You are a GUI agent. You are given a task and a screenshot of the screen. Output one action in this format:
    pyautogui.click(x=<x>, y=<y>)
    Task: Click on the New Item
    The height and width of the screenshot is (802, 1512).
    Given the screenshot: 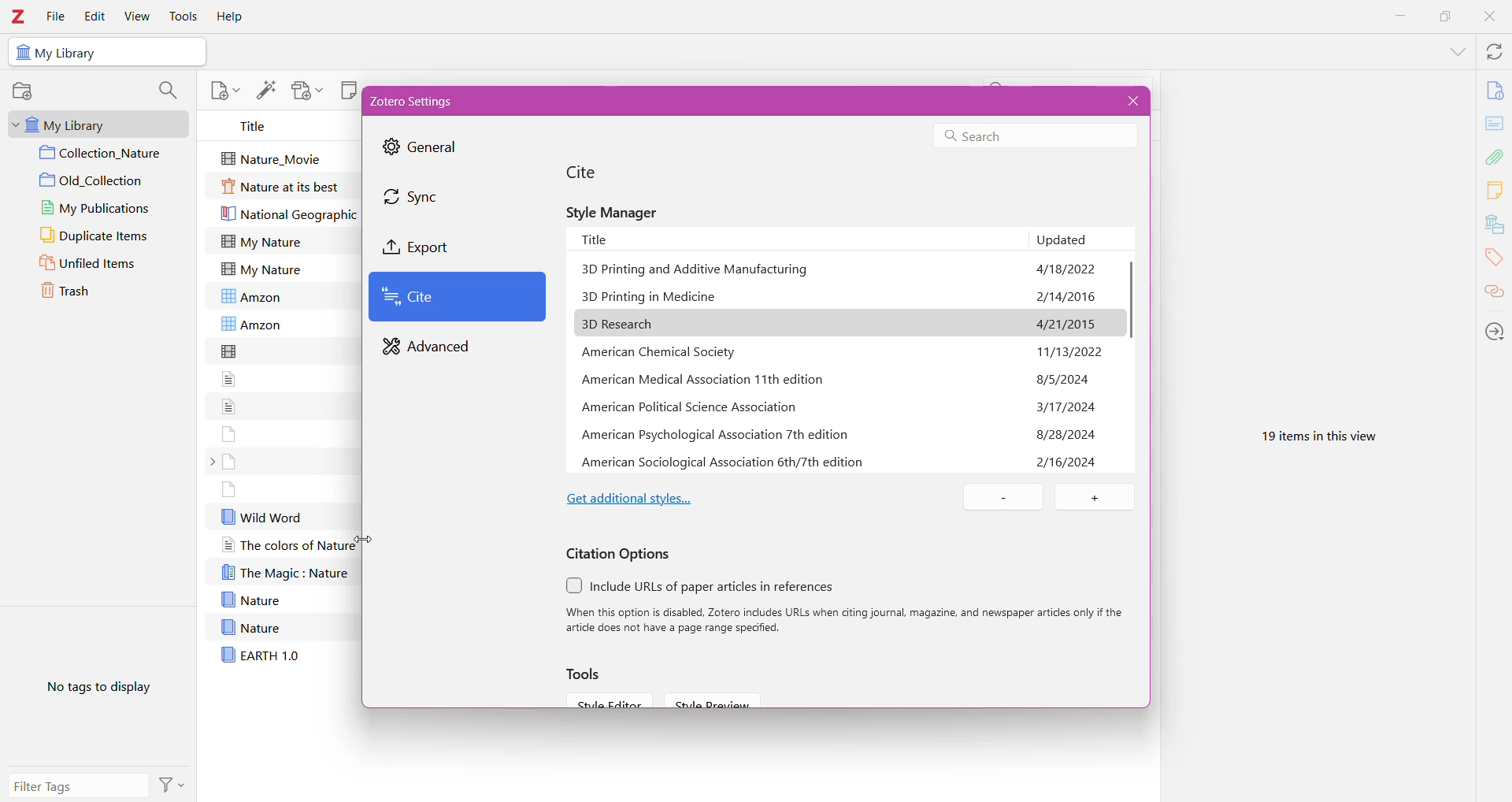 What is the action you would take?
    pyautogui.click(x=224, y=89)
    